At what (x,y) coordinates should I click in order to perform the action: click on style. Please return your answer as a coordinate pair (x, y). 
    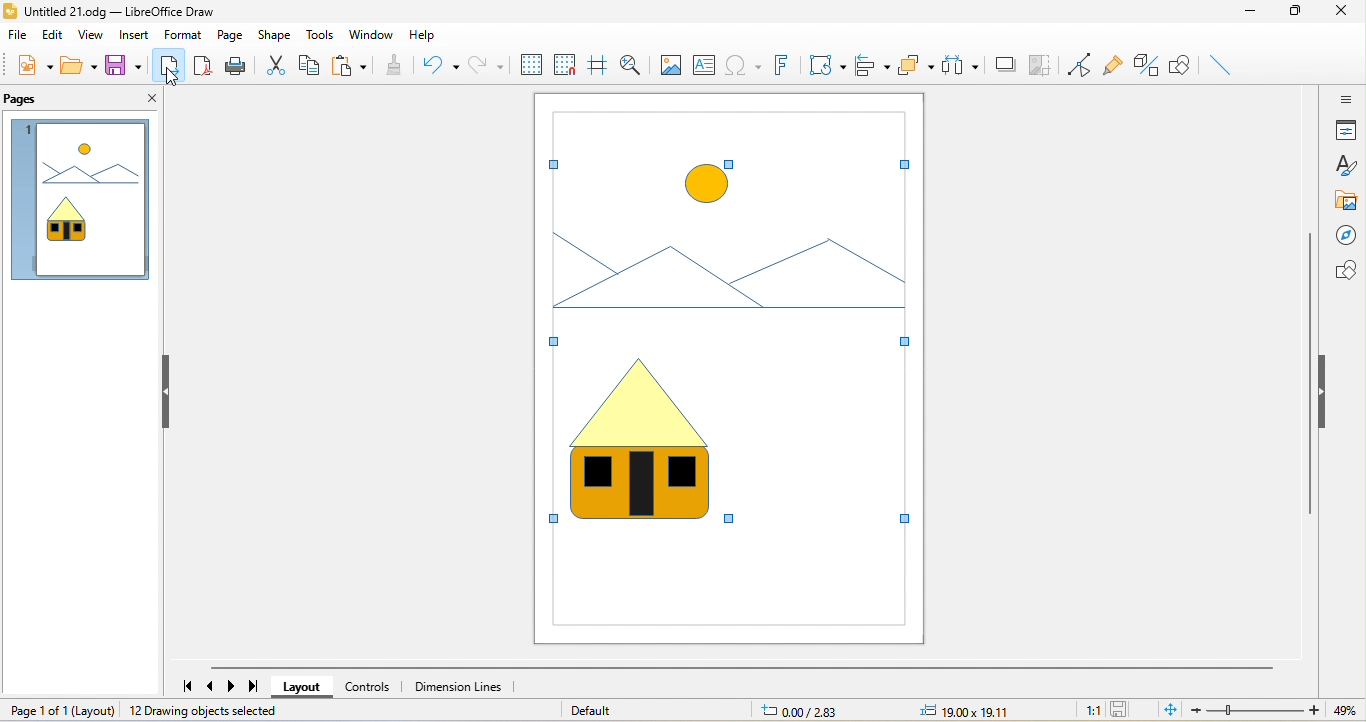
    Looking at the image, I should click on (1347, 165).